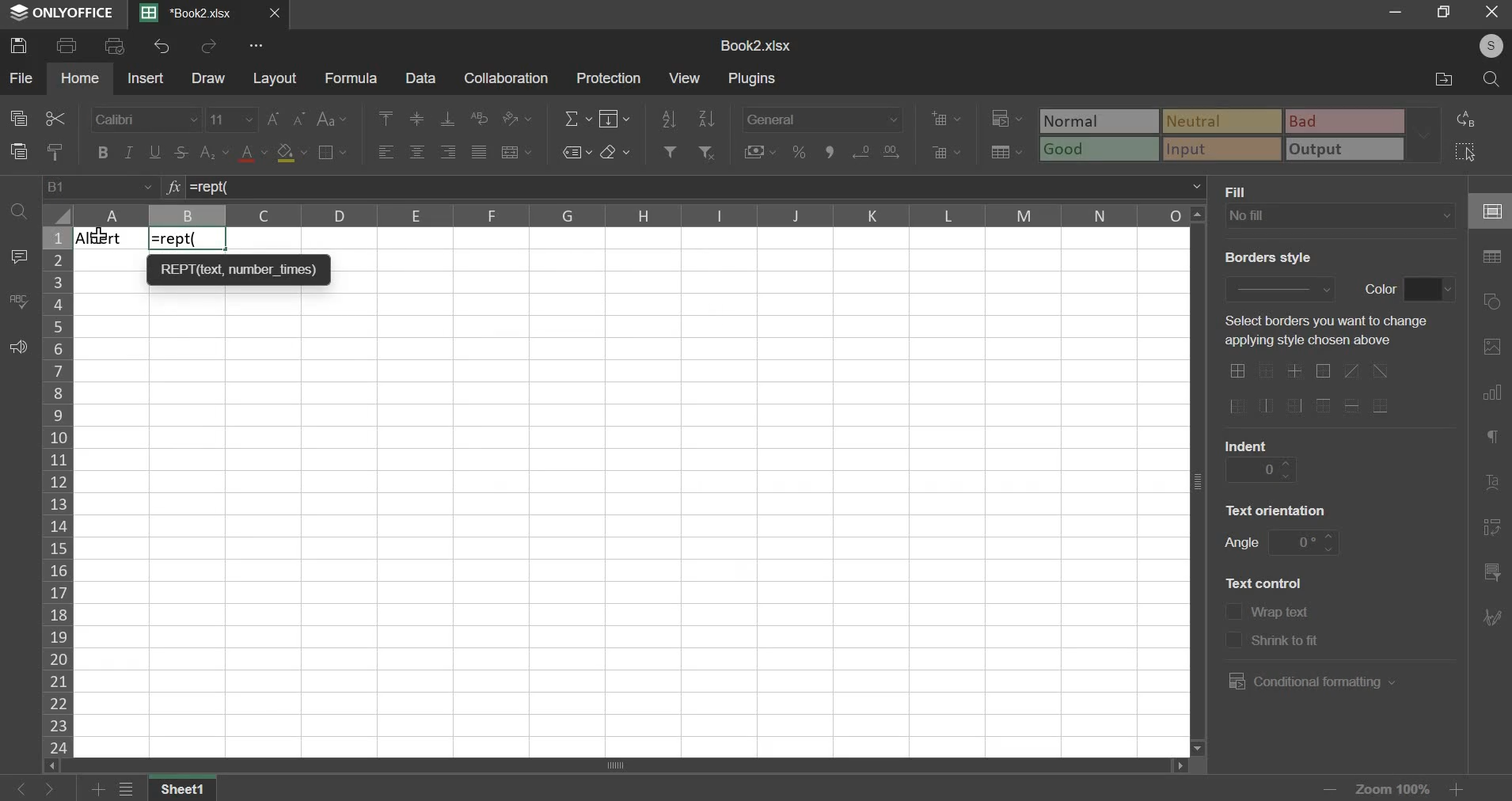 The width and height of the screenshot is (1512, 801). What do you see at coordinates (1493, 297) in the screenshot?
I see `shape settings` at bounding box center [1493, 297].